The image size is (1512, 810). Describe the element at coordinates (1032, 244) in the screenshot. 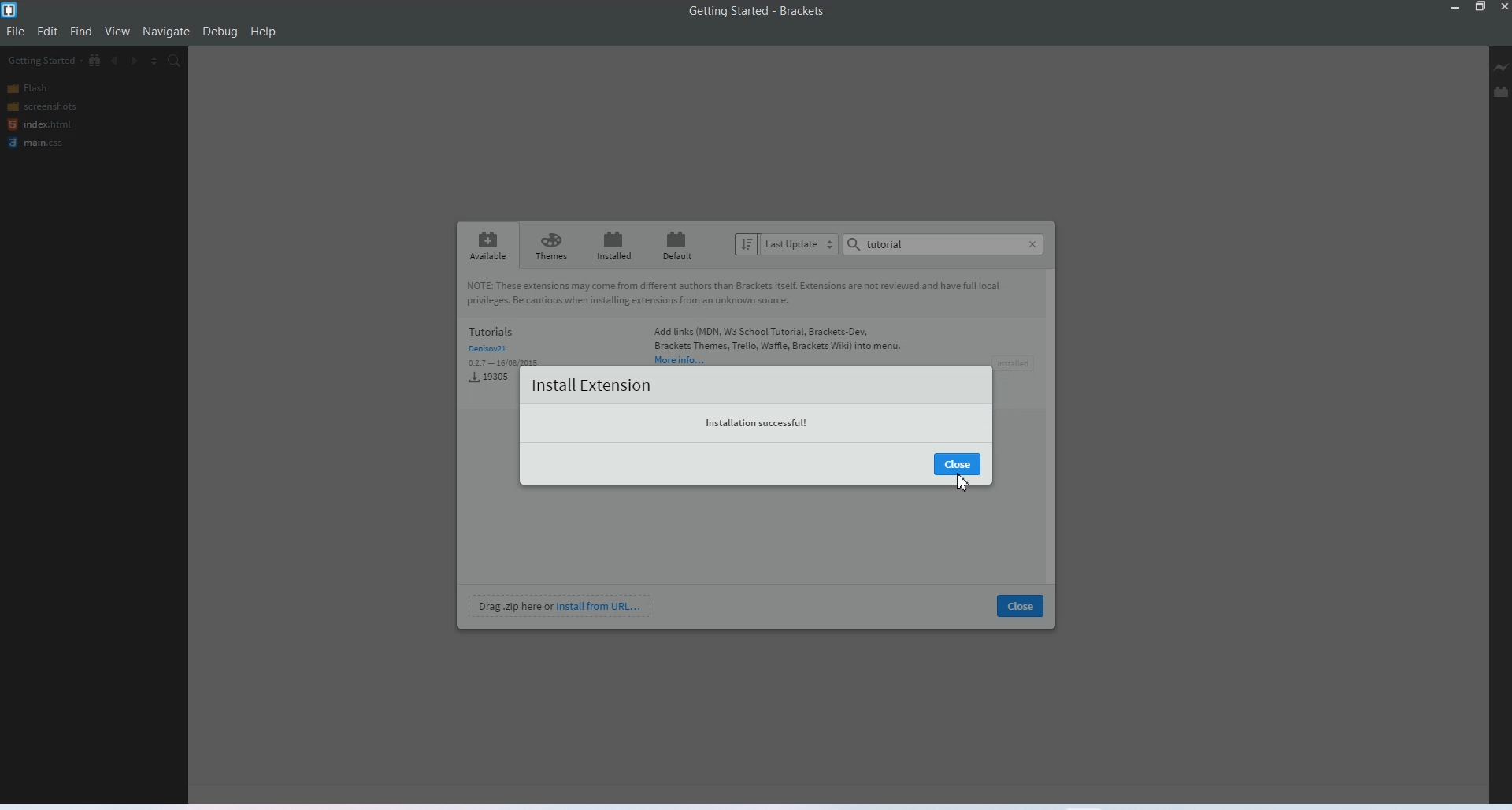

I see `Close` at that location.